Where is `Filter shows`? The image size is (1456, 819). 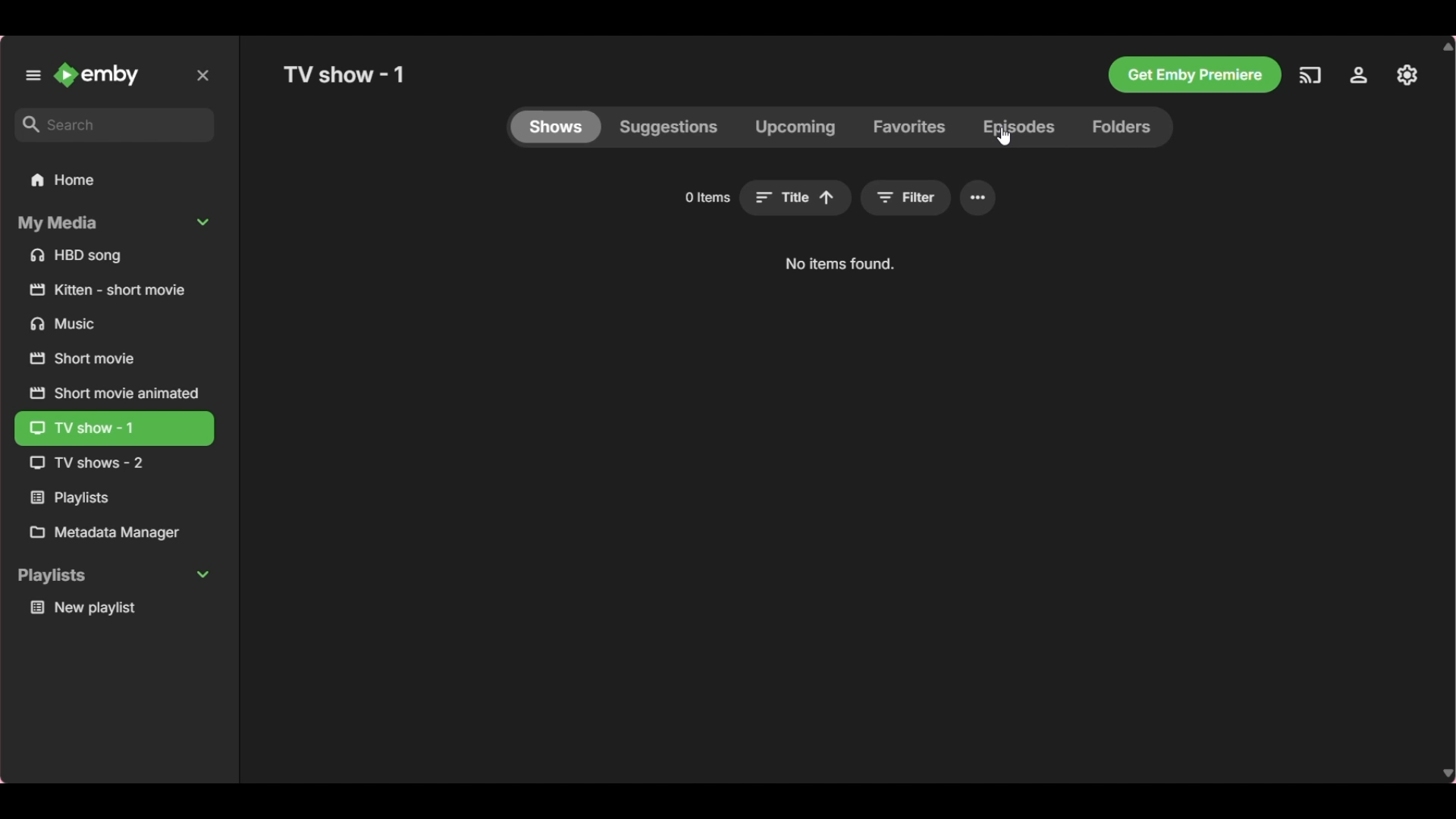
Filter shows is located at coordinates (906, 198).